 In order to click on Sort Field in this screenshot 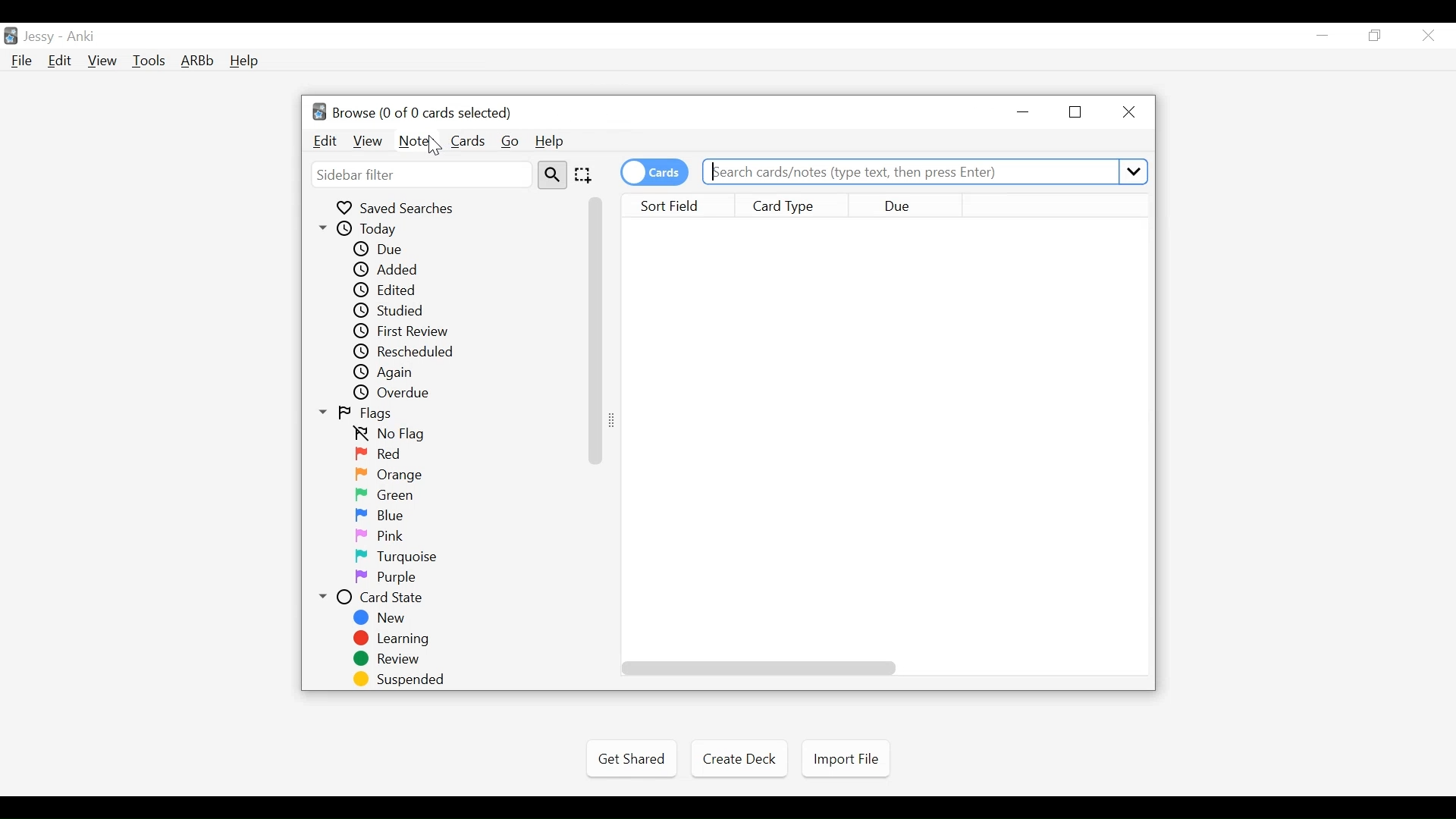, I will do `click(677, 204)`.